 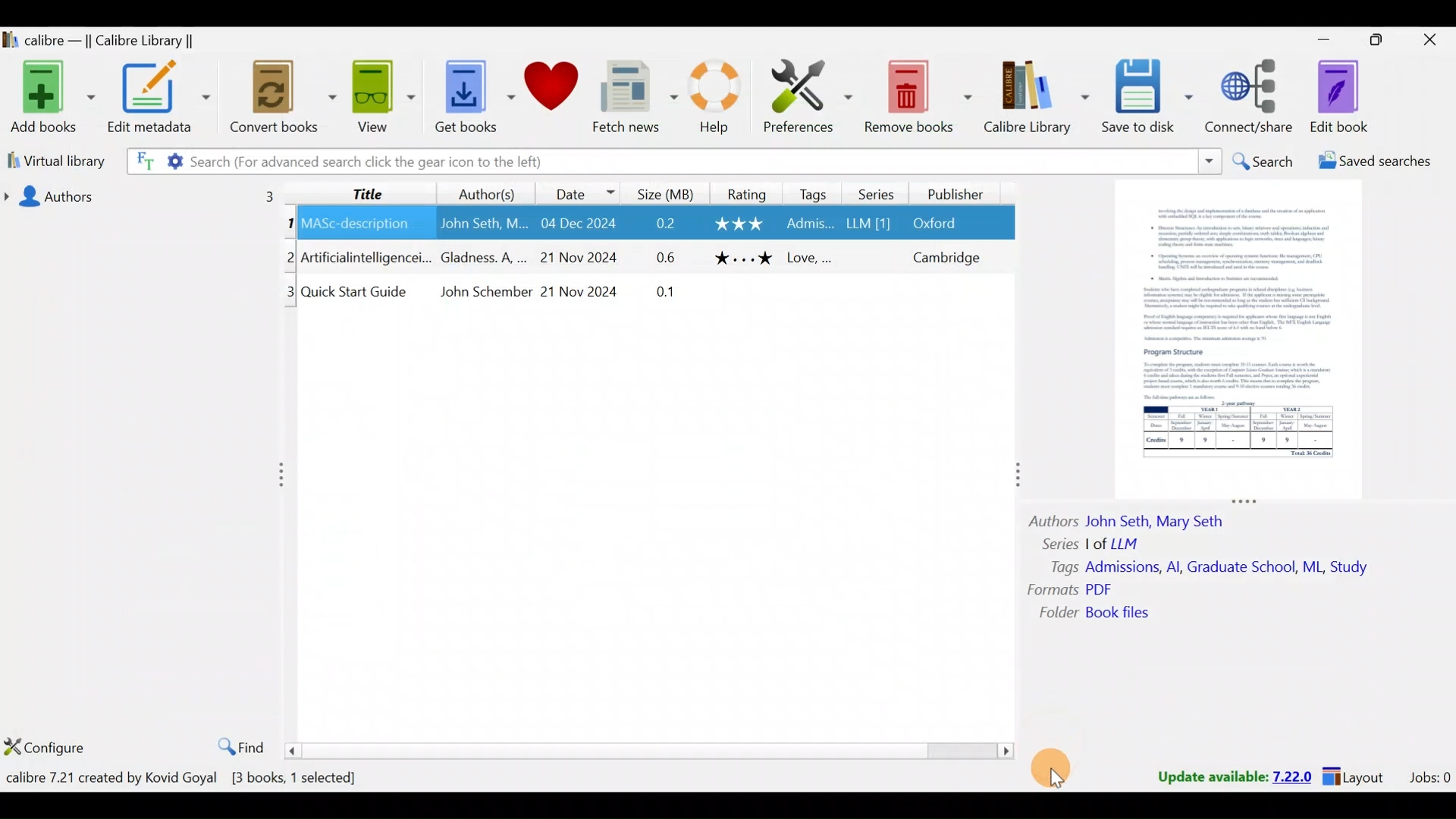 What do you see at coordinates (1126, 615) in the screenshot?
I see `` at bounding box center [1126, 615].